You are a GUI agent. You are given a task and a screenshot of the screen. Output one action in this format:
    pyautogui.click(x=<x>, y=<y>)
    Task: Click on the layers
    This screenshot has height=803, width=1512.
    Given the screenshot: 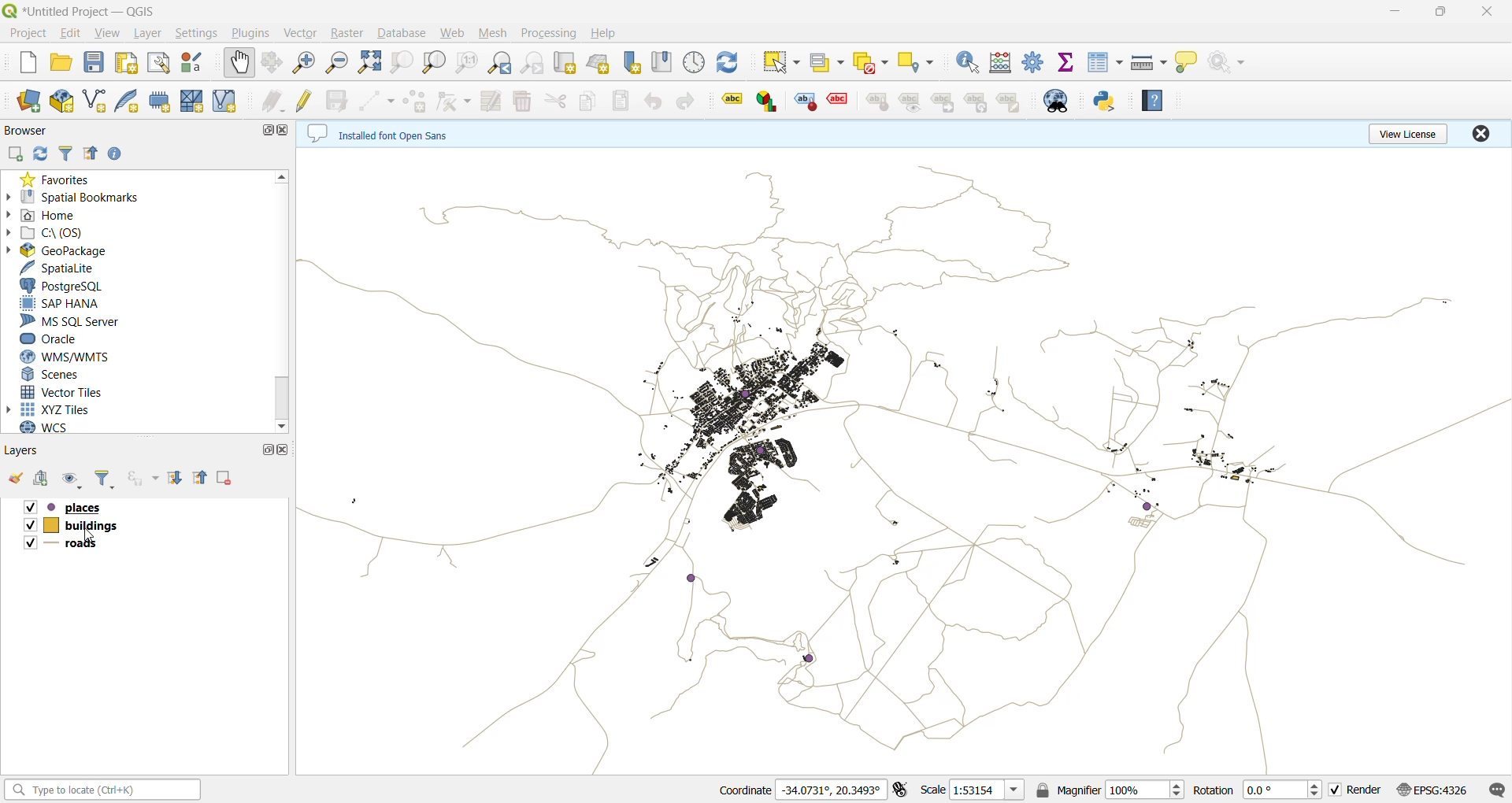 What is the action you would take?
    pyautogui.click(x=903, y=459)
    